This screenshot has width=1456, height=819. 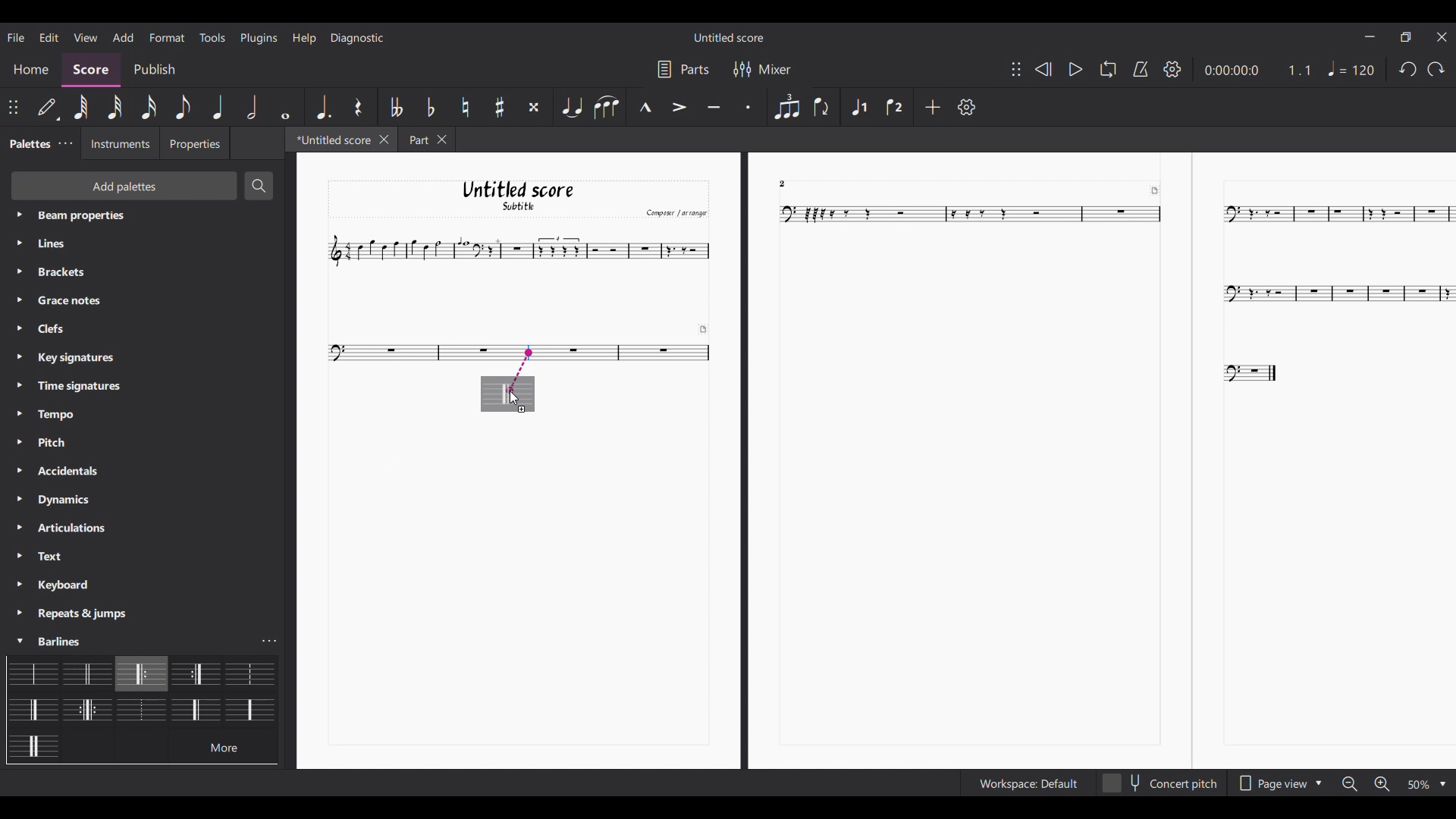 What do you see at coordinates (84, 243) in the screenshot?
I see `Palette settings` at bounding box center [84, 243].